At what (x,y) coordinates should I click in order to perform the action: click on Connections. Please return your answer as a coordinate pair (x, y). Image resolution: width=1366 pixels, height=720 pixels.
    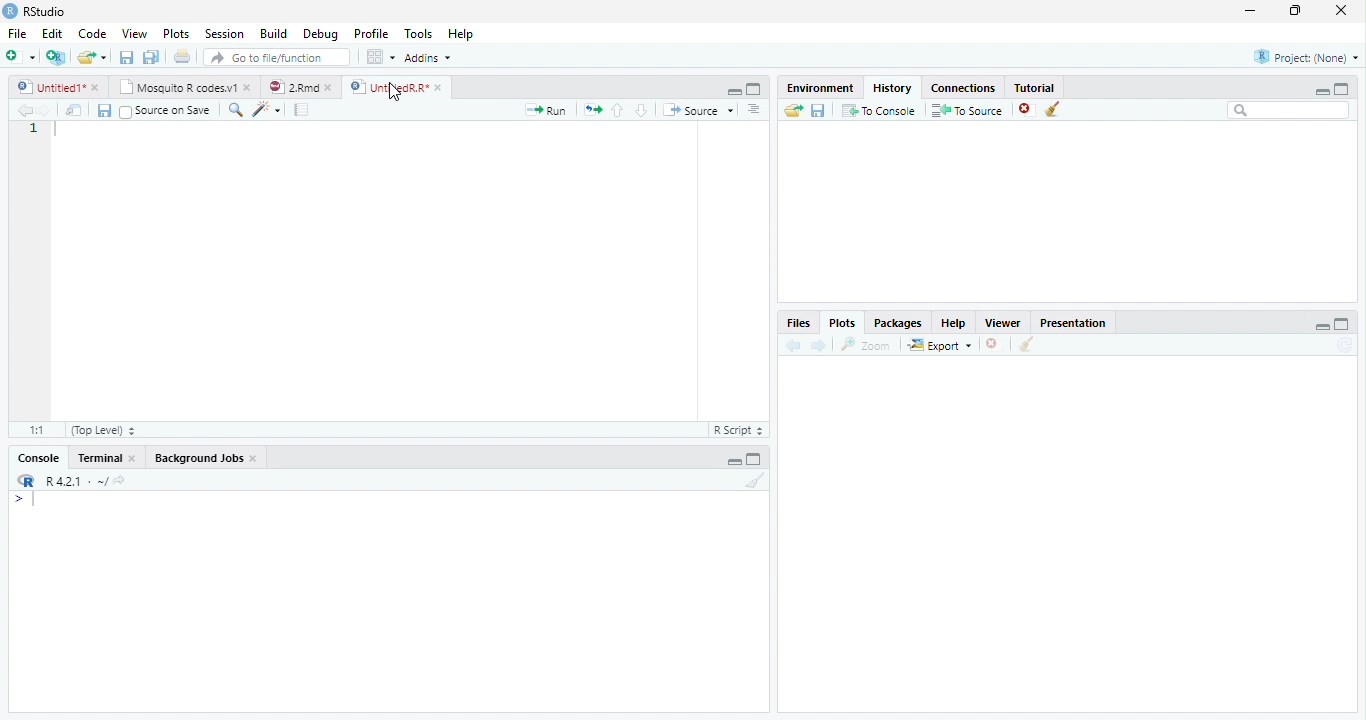
    Looking at the image, I should click on (963, 87).